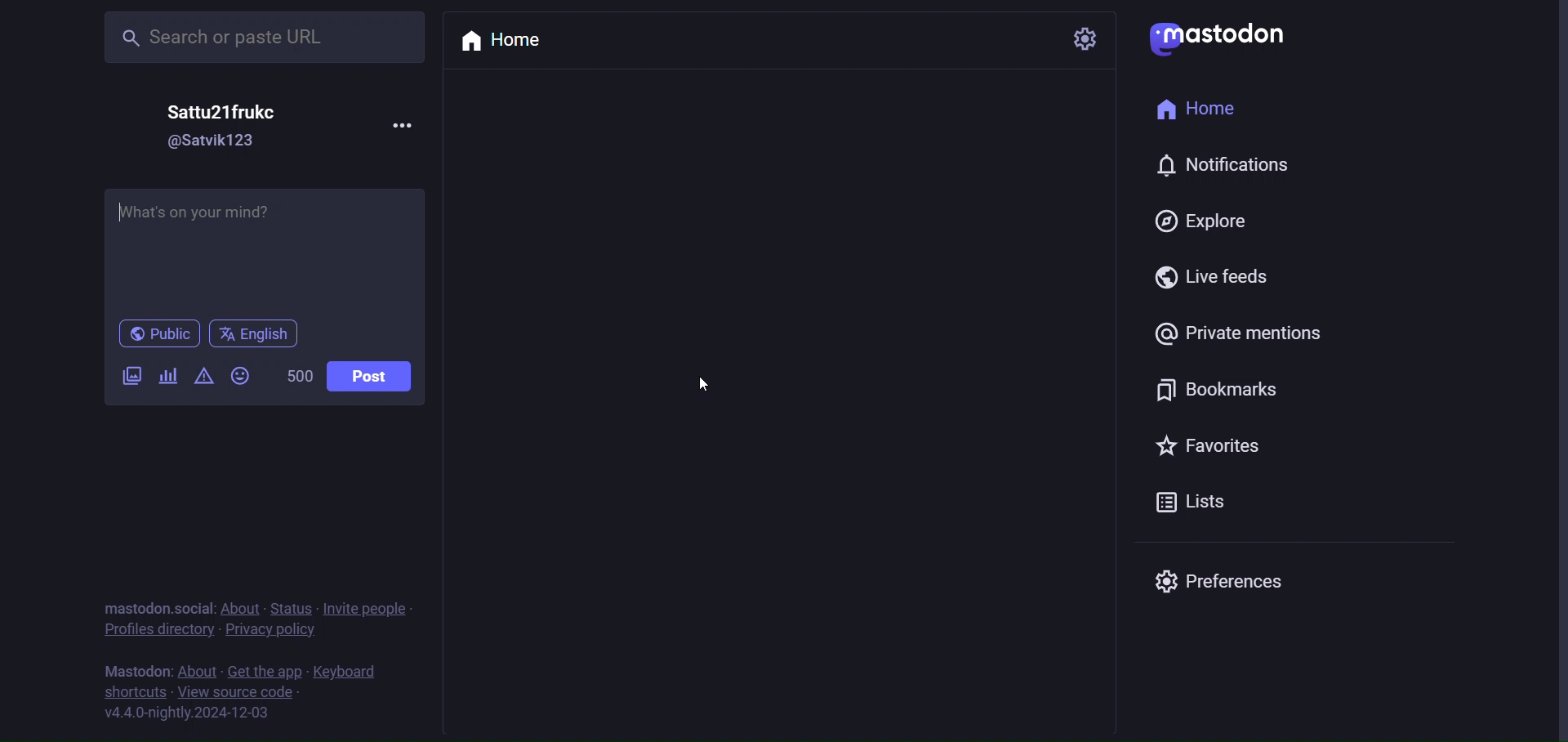 The width and height of the screenshot is (1568, 742). What do you see at coordinates (213, 145) in the screenshot?
I see `id` at bounding box center [213, 145].